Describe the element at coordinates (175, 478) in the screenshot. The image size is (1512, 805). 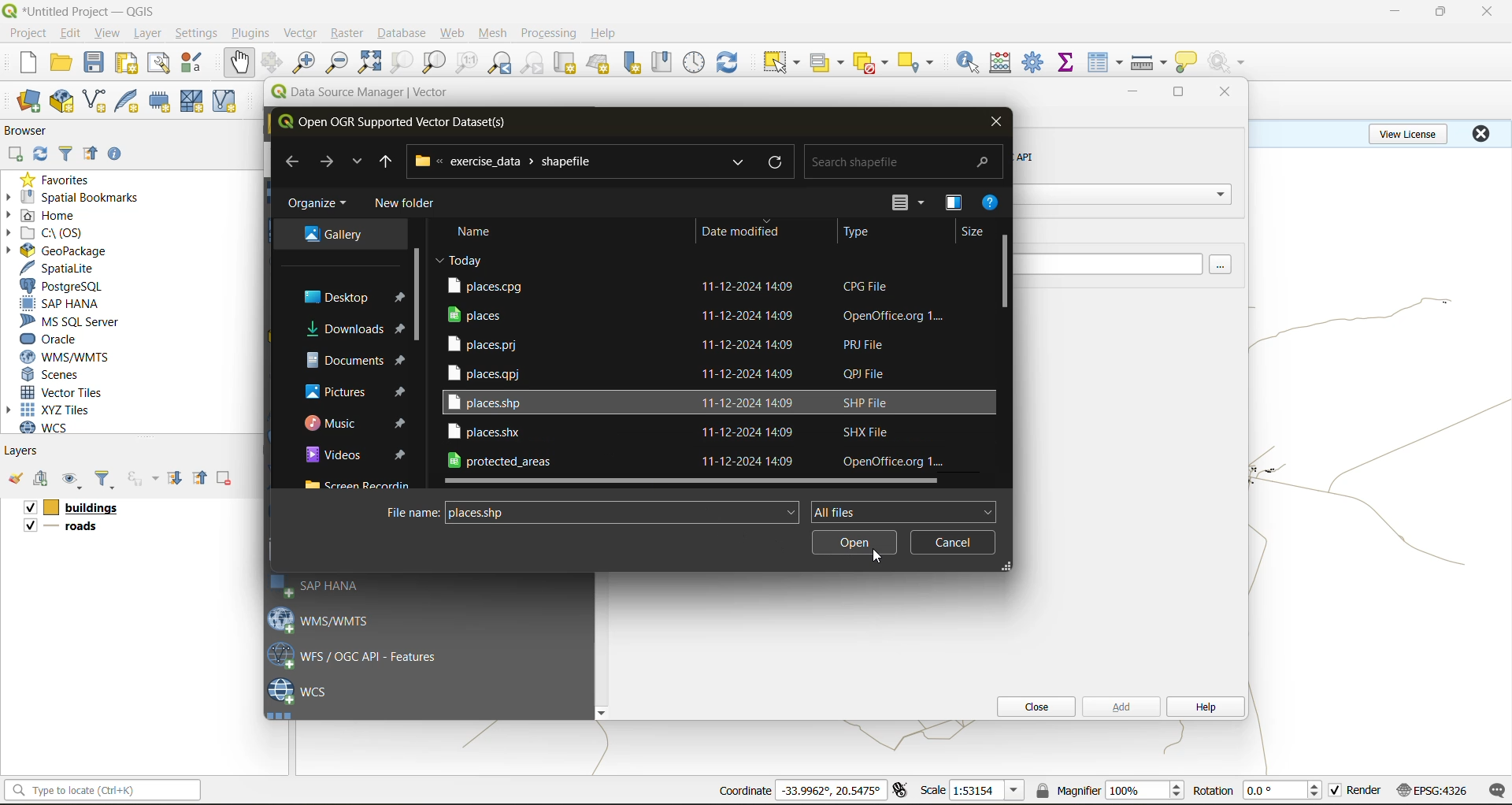
I see `expand all` at that location.